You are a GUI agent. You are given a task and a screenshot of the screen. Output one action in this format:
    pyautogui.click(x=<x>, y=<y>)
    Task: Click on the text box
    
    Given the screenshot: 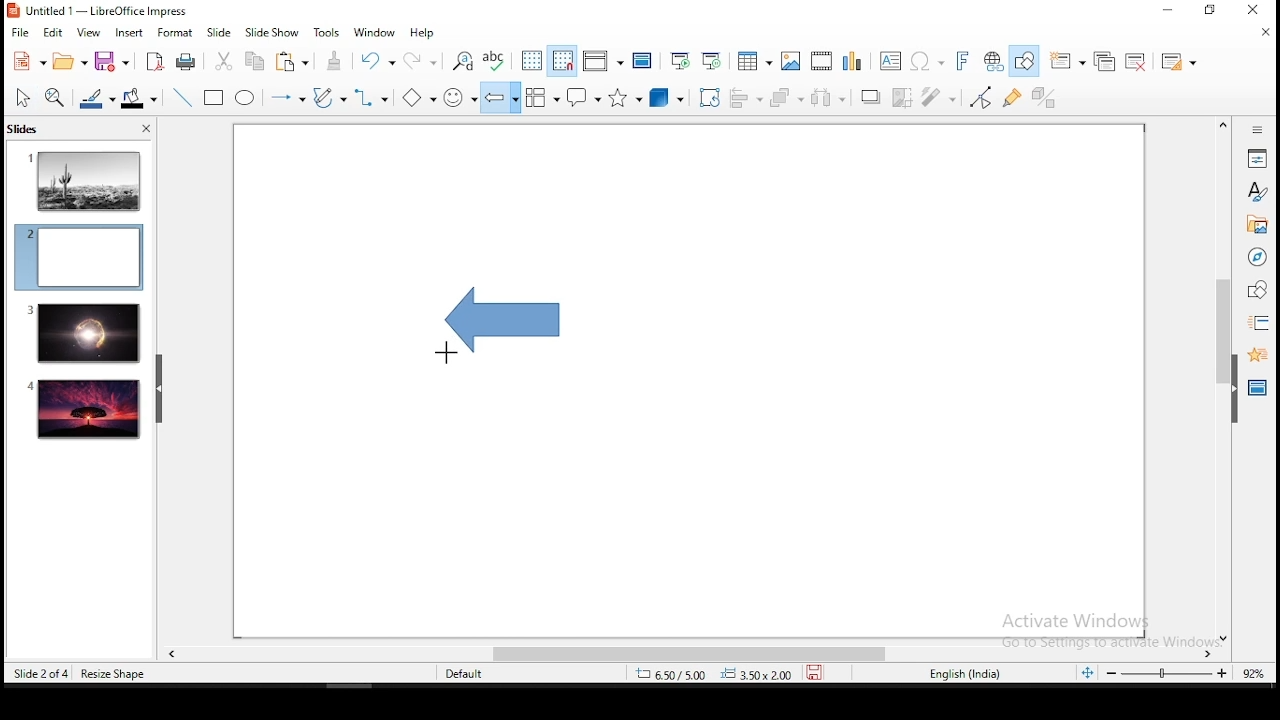 What is the action you would take?
    pyautogui.click(x=889, y=61)
    